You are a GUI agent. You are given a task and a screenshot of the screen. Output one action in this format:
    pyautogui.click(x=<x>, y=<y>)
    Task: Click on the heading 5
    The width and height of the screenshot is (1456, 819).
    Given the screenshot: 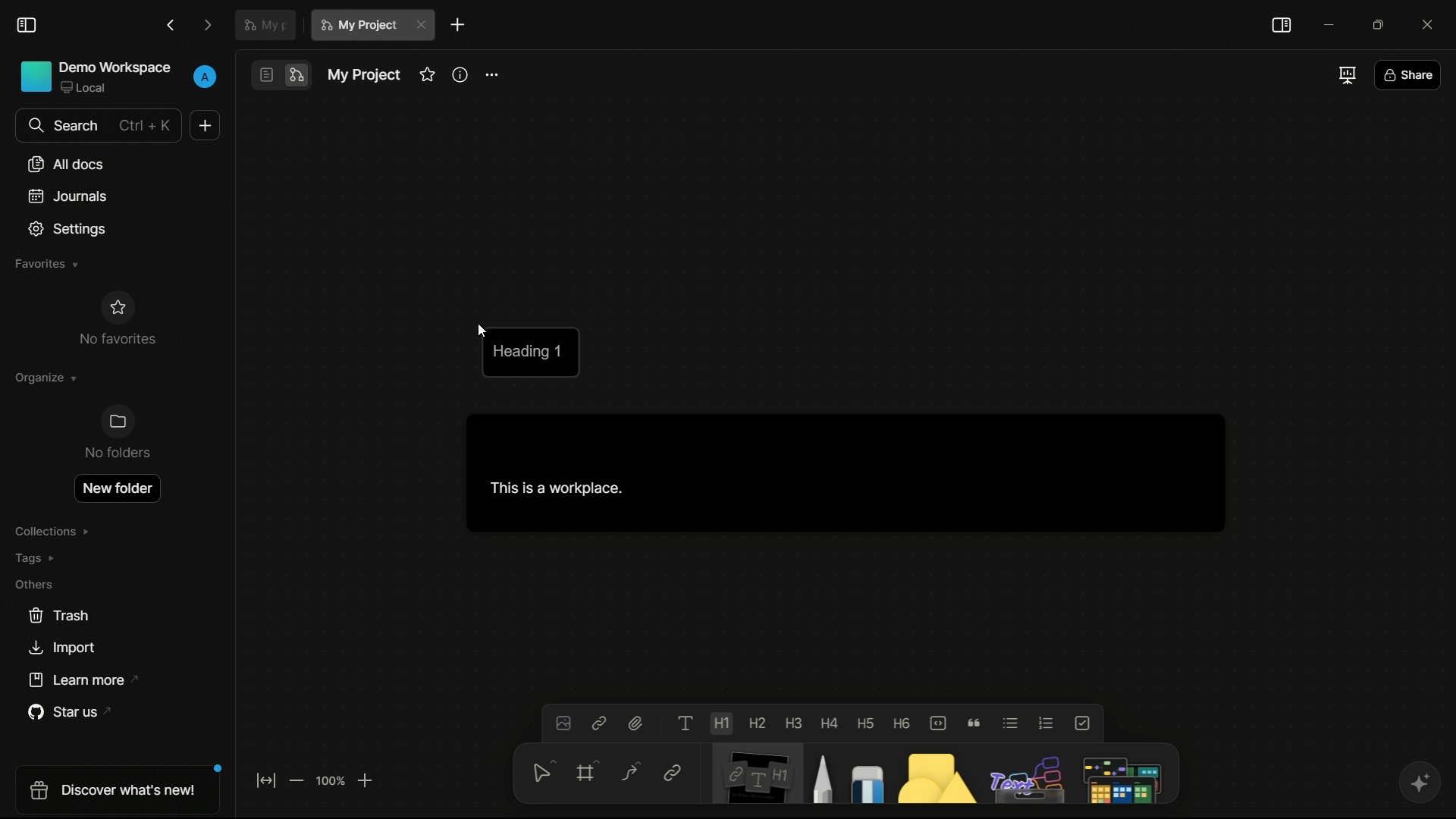 What is the action you would take?
    pyautogui.click(x=865, y=720)
    